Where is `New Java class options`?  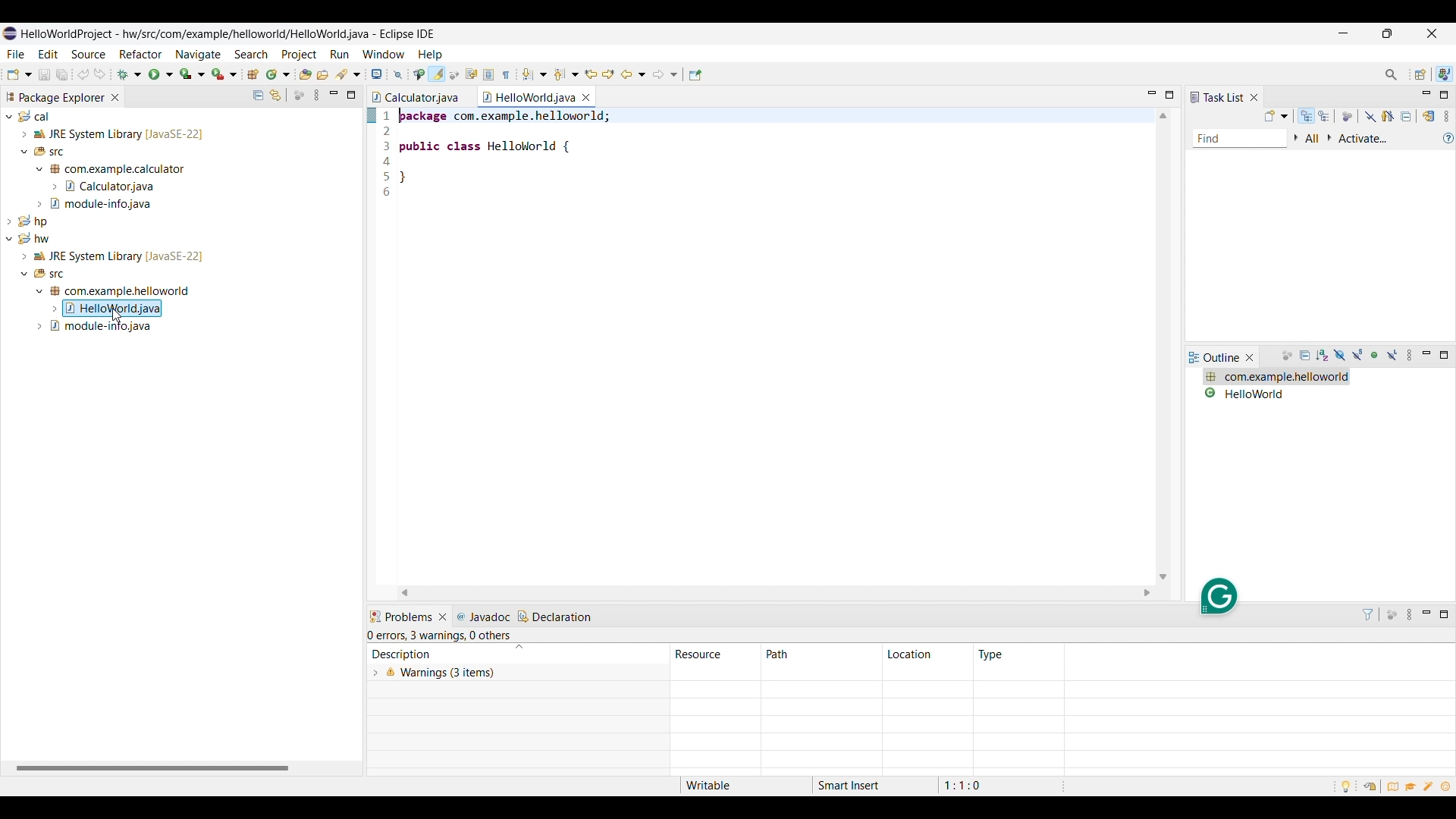
New Java class options is located at coordinates (278, 74).